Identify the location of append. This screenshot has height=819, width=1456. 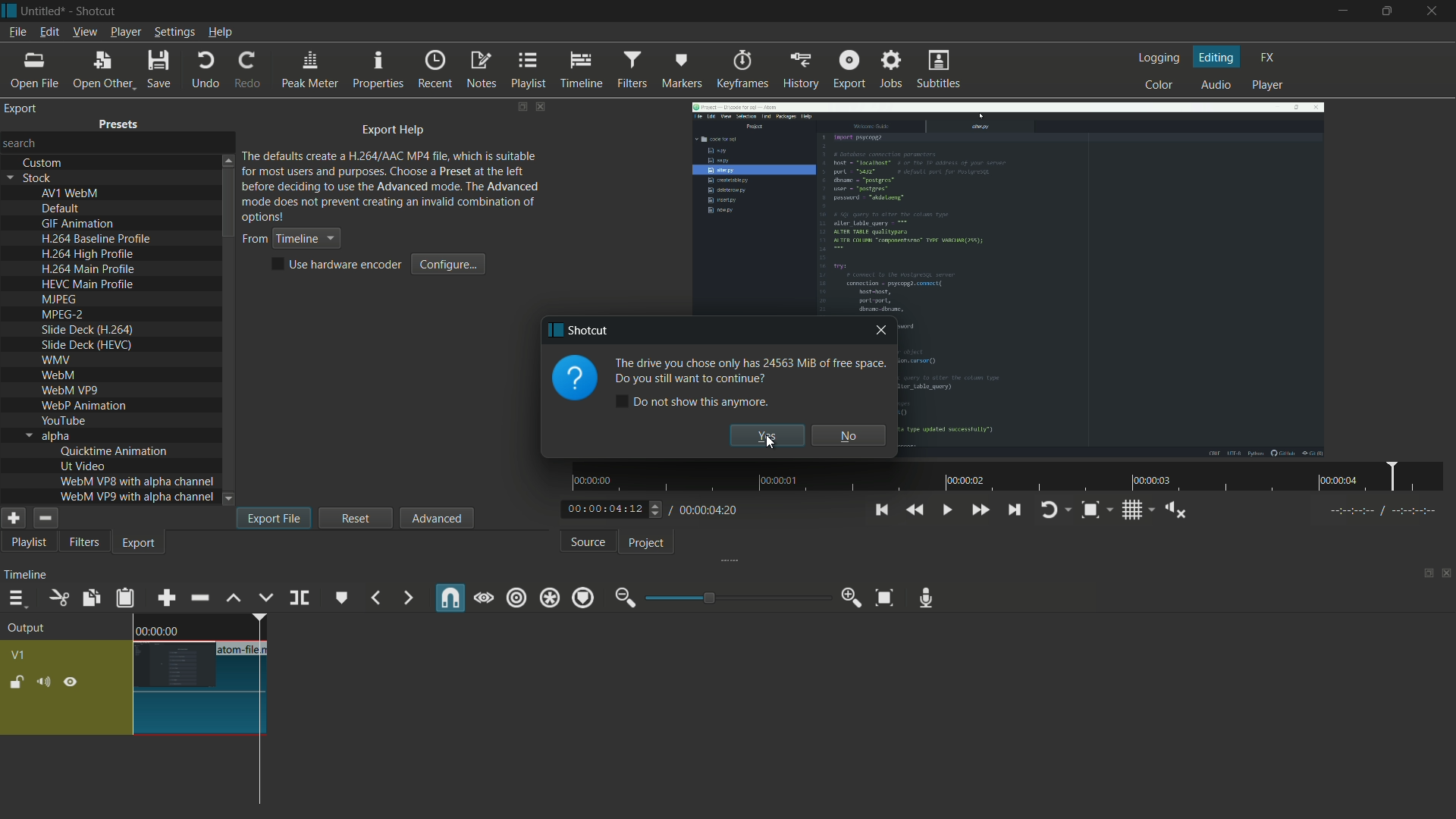
(166, 599).